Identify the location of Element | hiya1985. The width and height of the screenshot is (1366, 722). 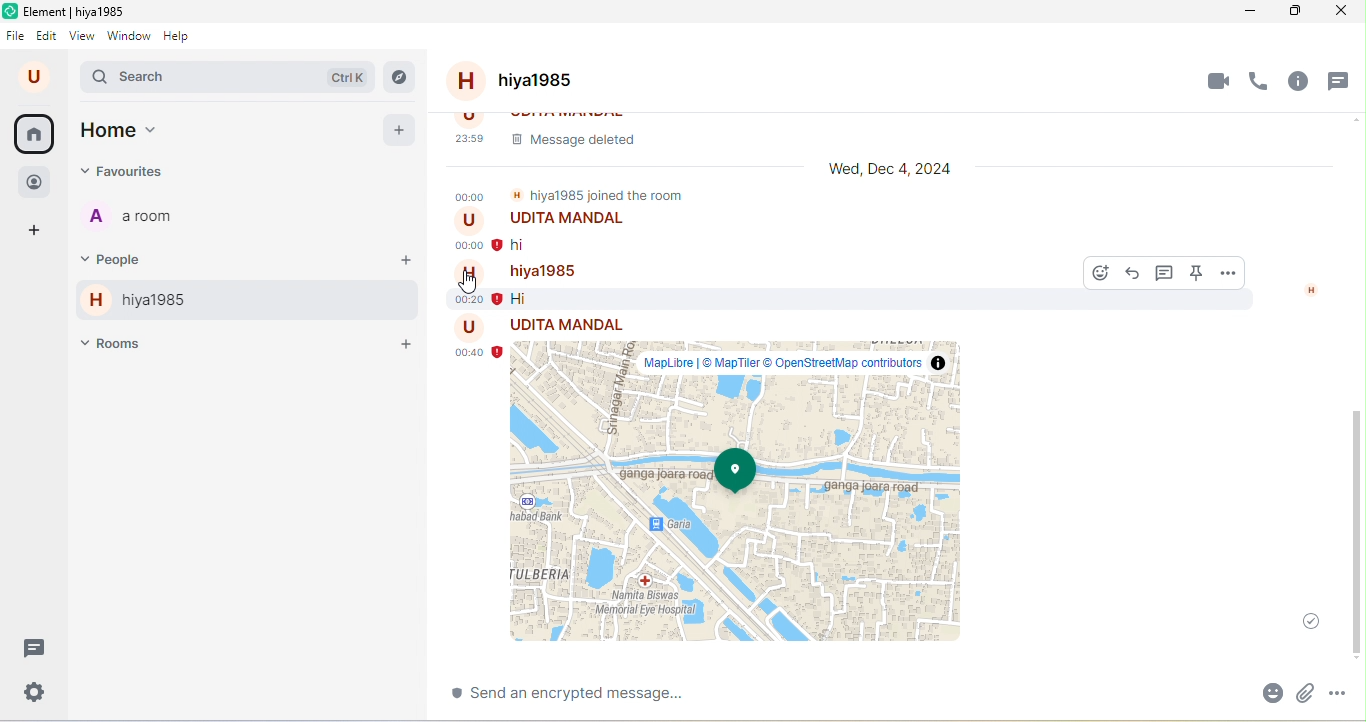
(69, 12).